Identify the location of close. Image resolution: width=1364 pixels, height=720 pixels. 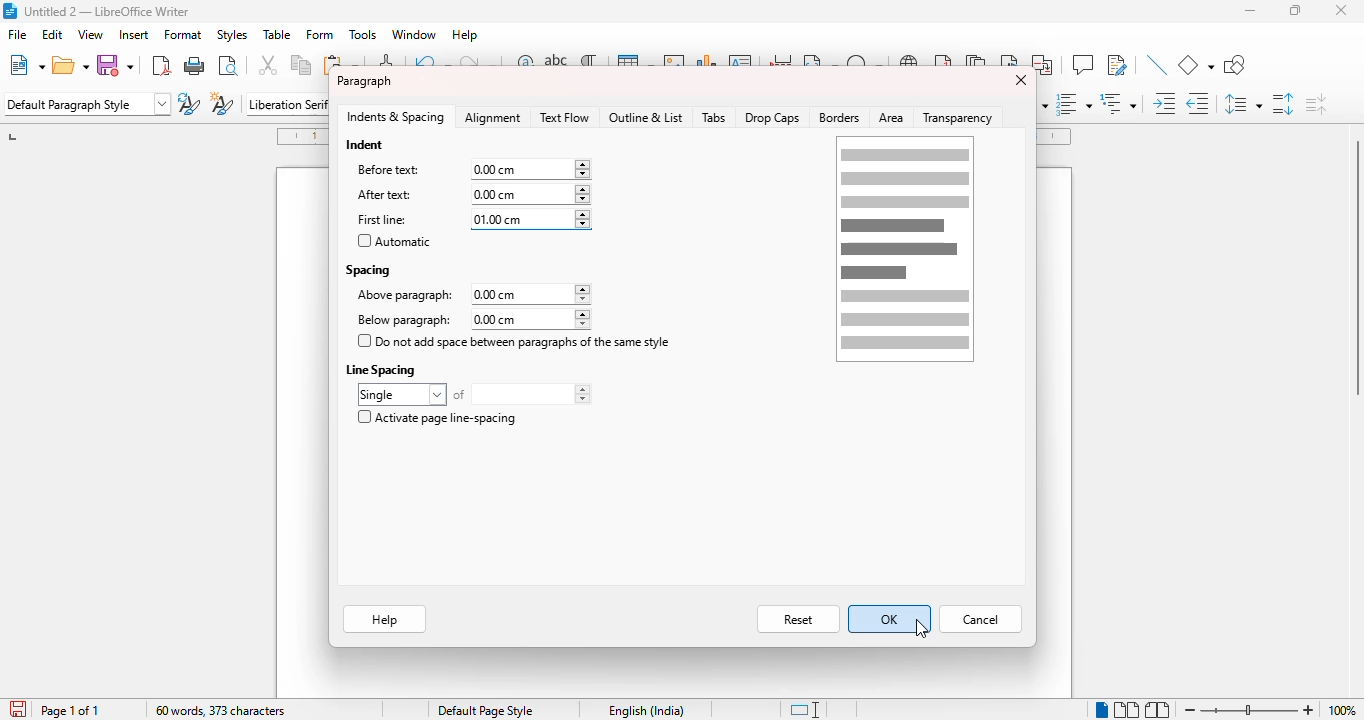
(1019, 80).